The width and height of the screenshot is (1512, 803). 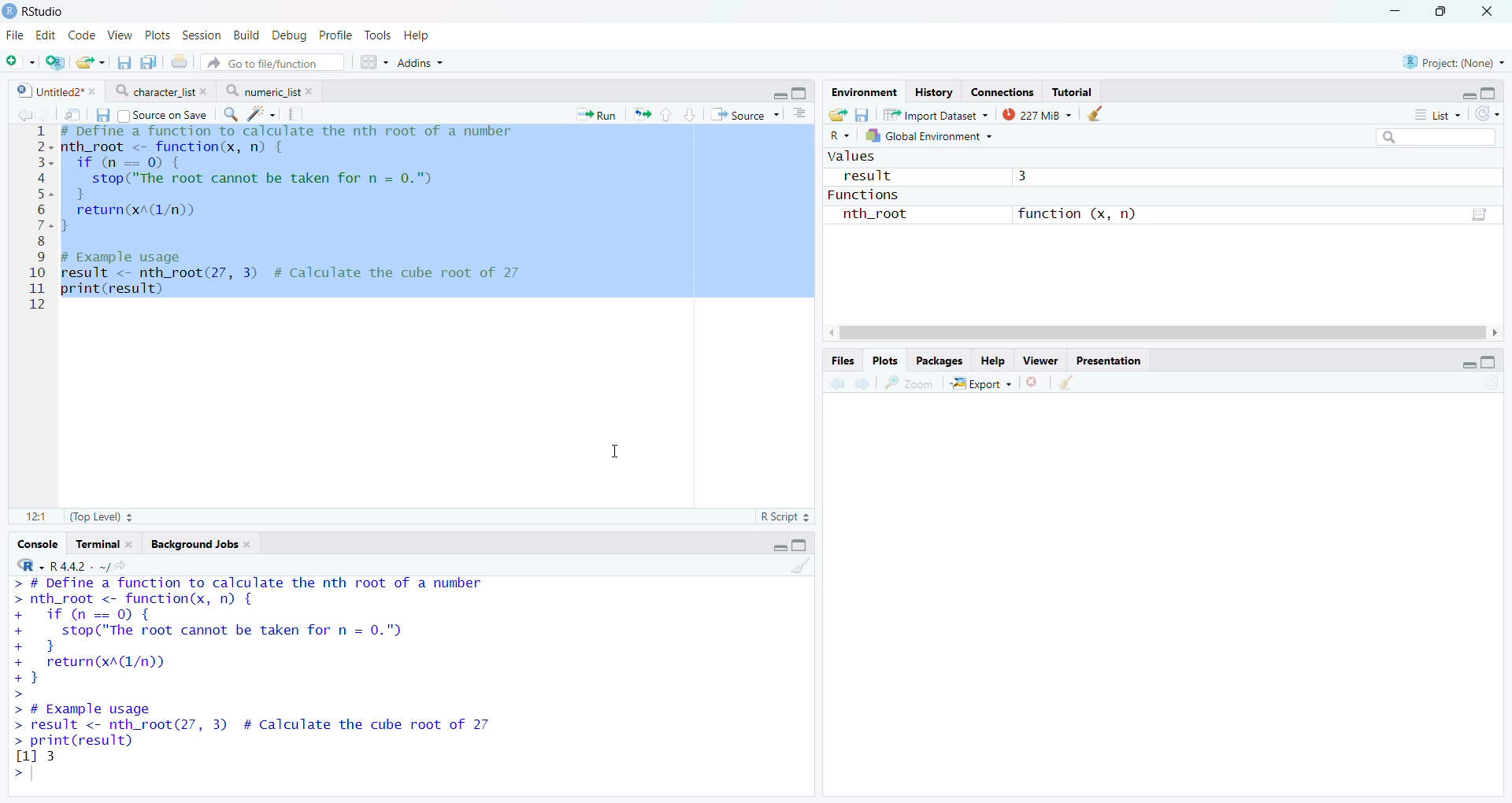 I want to click on Go to next section, so click(x=691, y=113).